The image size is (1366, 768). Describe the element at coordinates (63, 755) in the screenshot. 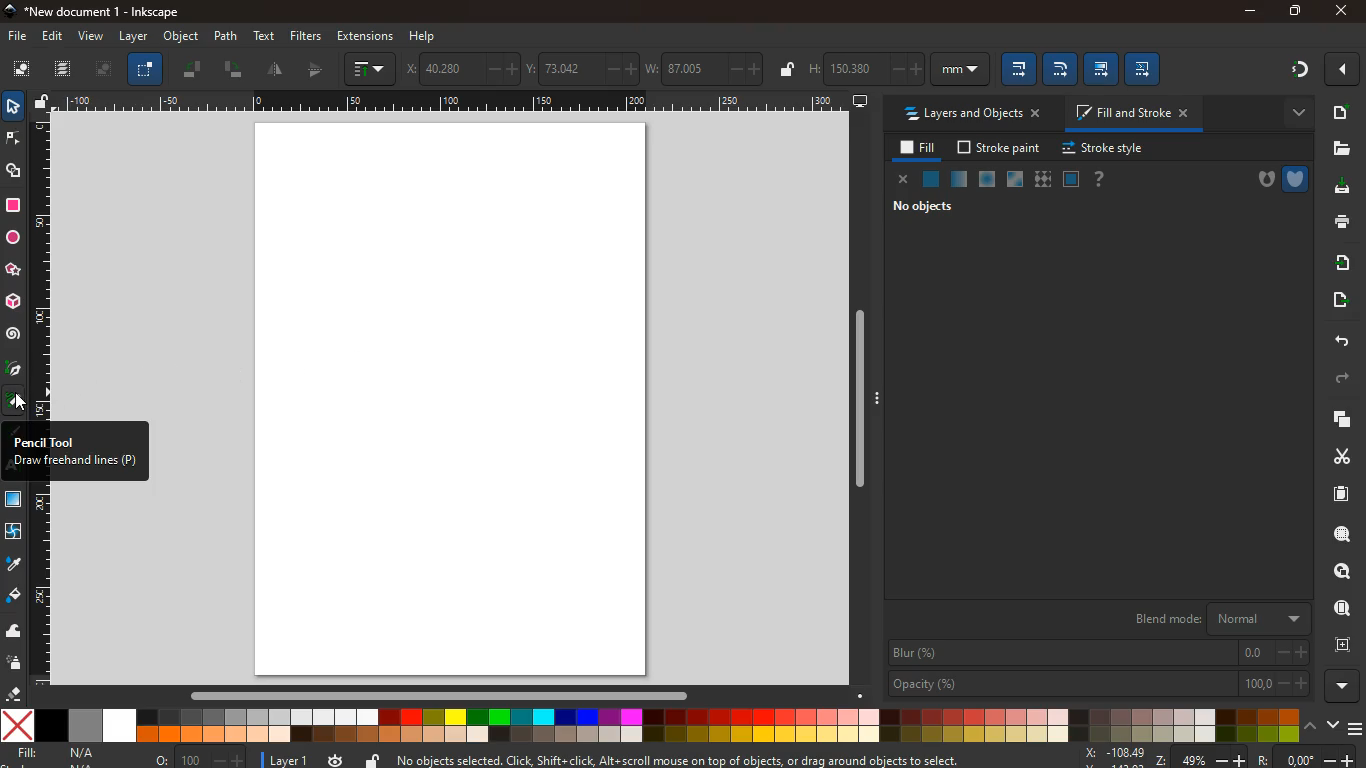

I see `fill` at that location.